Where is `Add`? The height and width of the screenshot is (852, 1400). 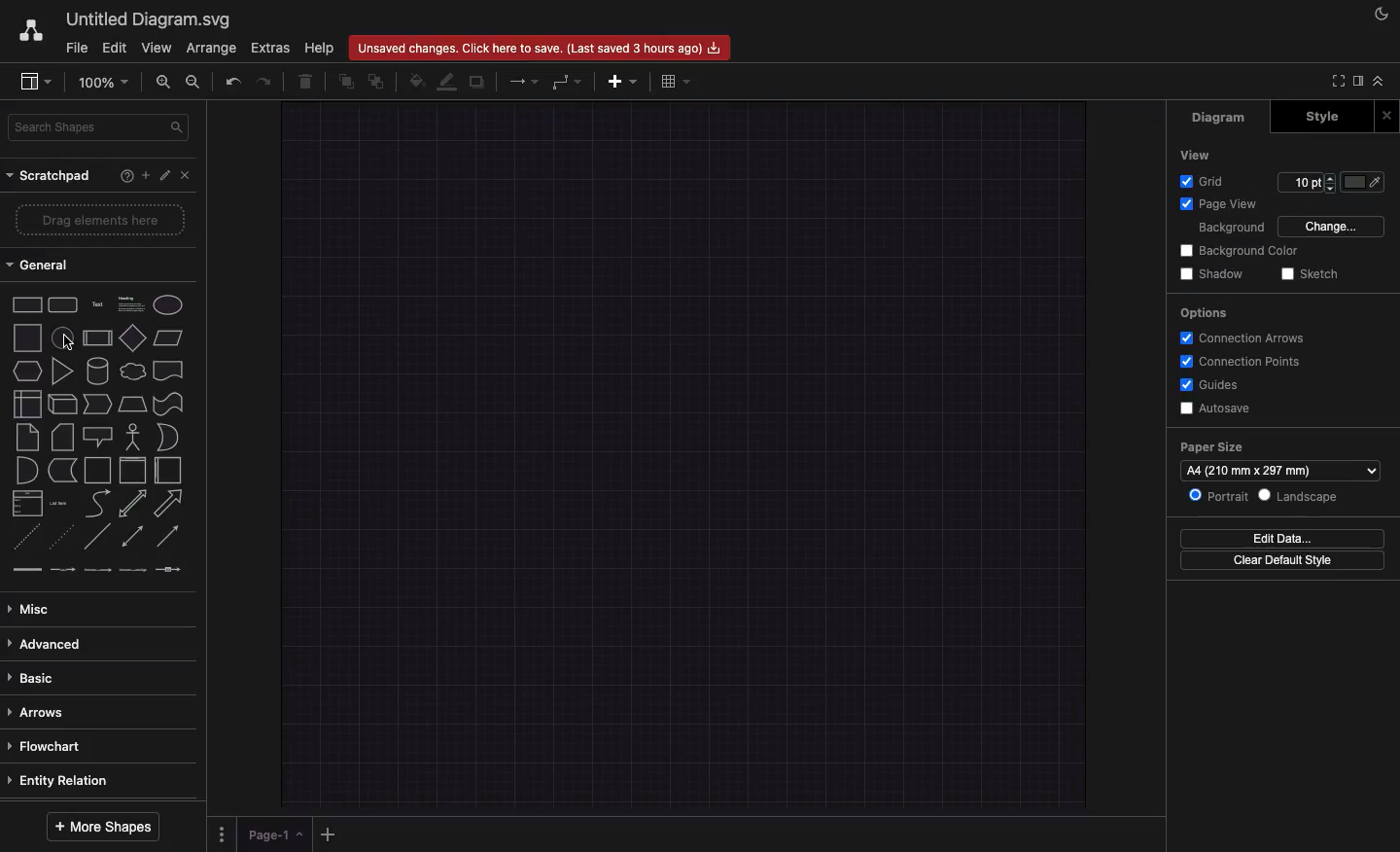 Add is located at coordinates (623, 81).